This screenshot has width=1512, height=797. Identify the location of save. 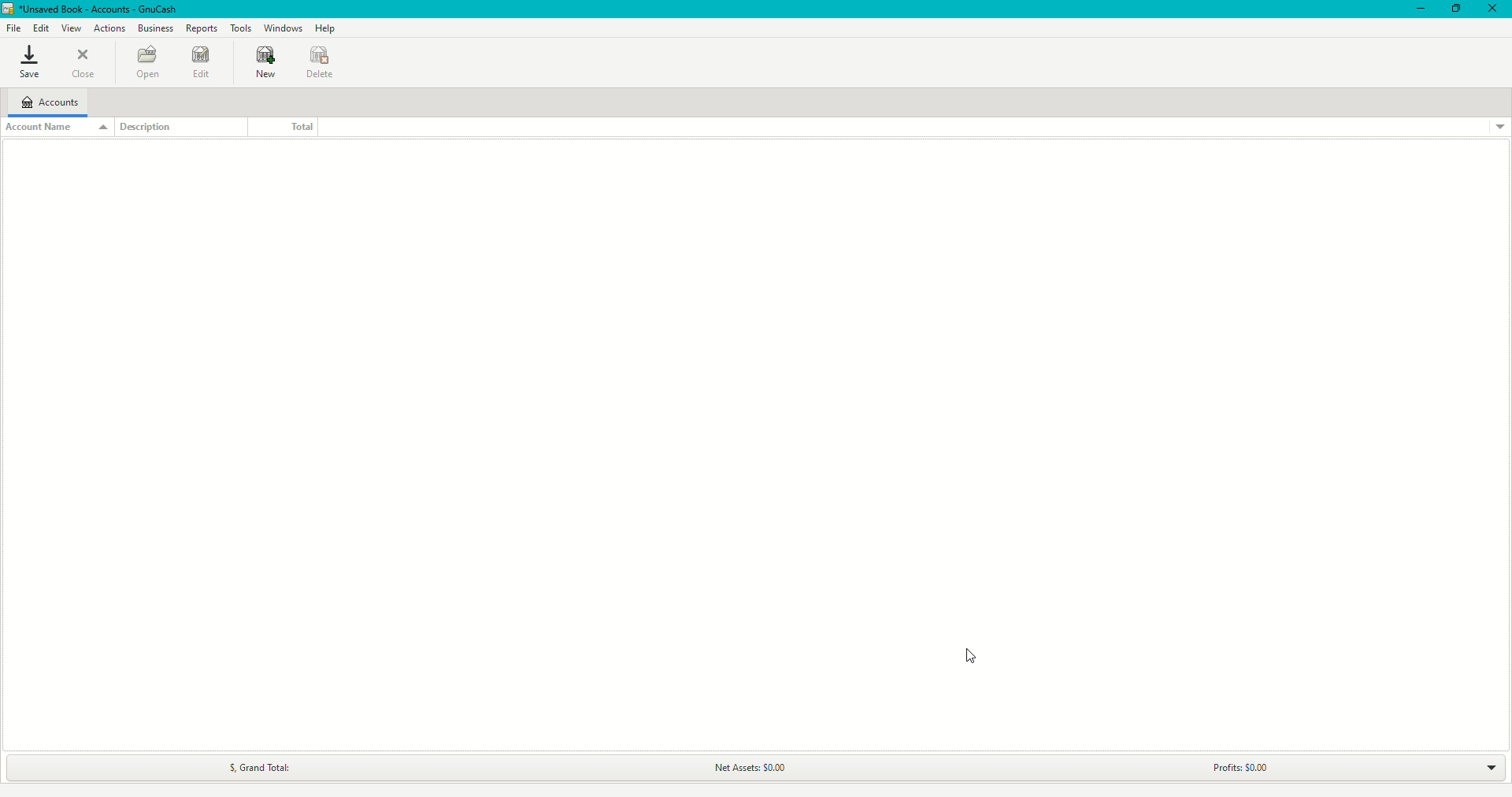
(28, 62).